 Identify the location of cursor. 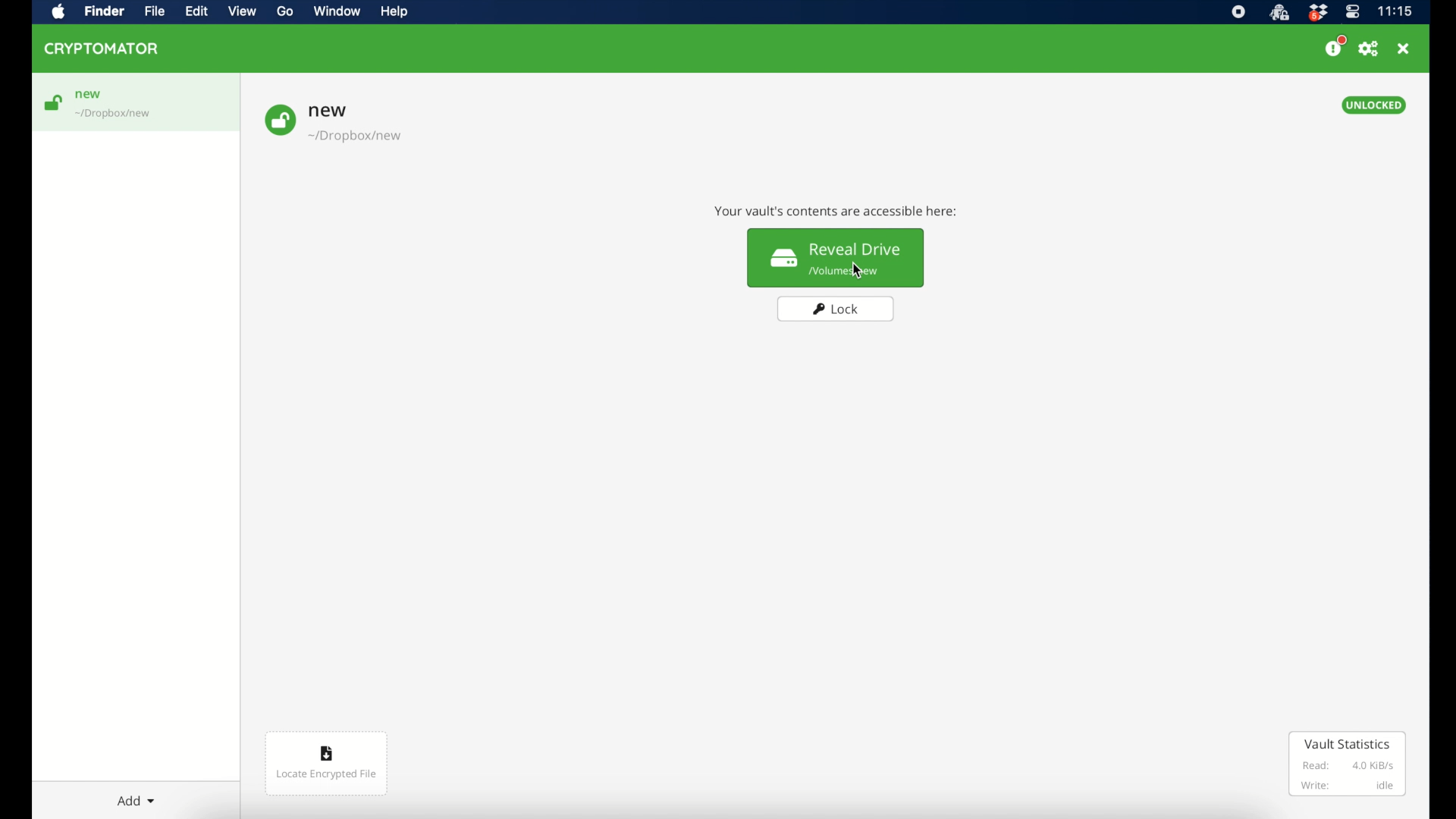
(858, 270).